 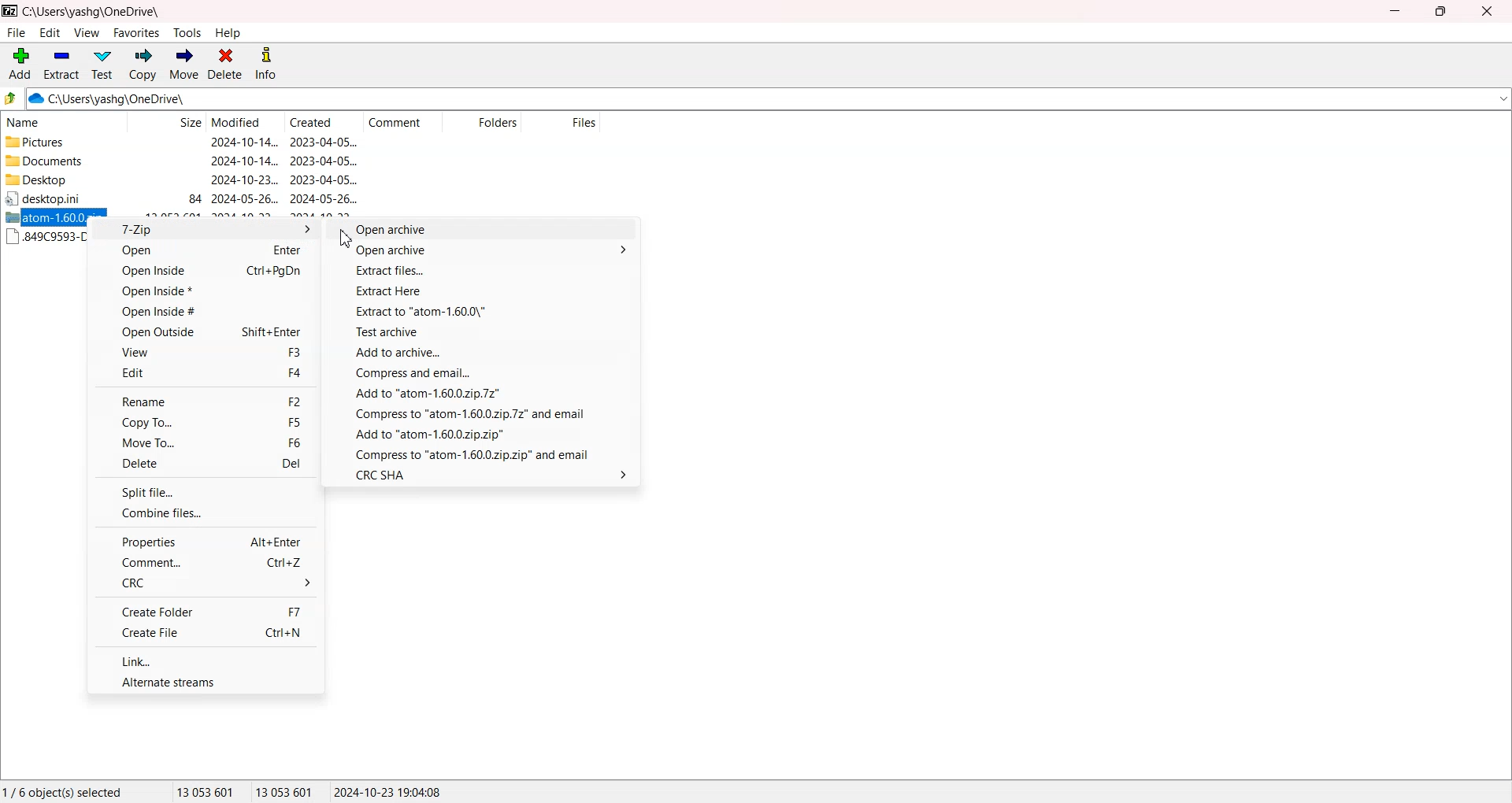 I want to click on 2024-05-26, so click(x=324, y=198).